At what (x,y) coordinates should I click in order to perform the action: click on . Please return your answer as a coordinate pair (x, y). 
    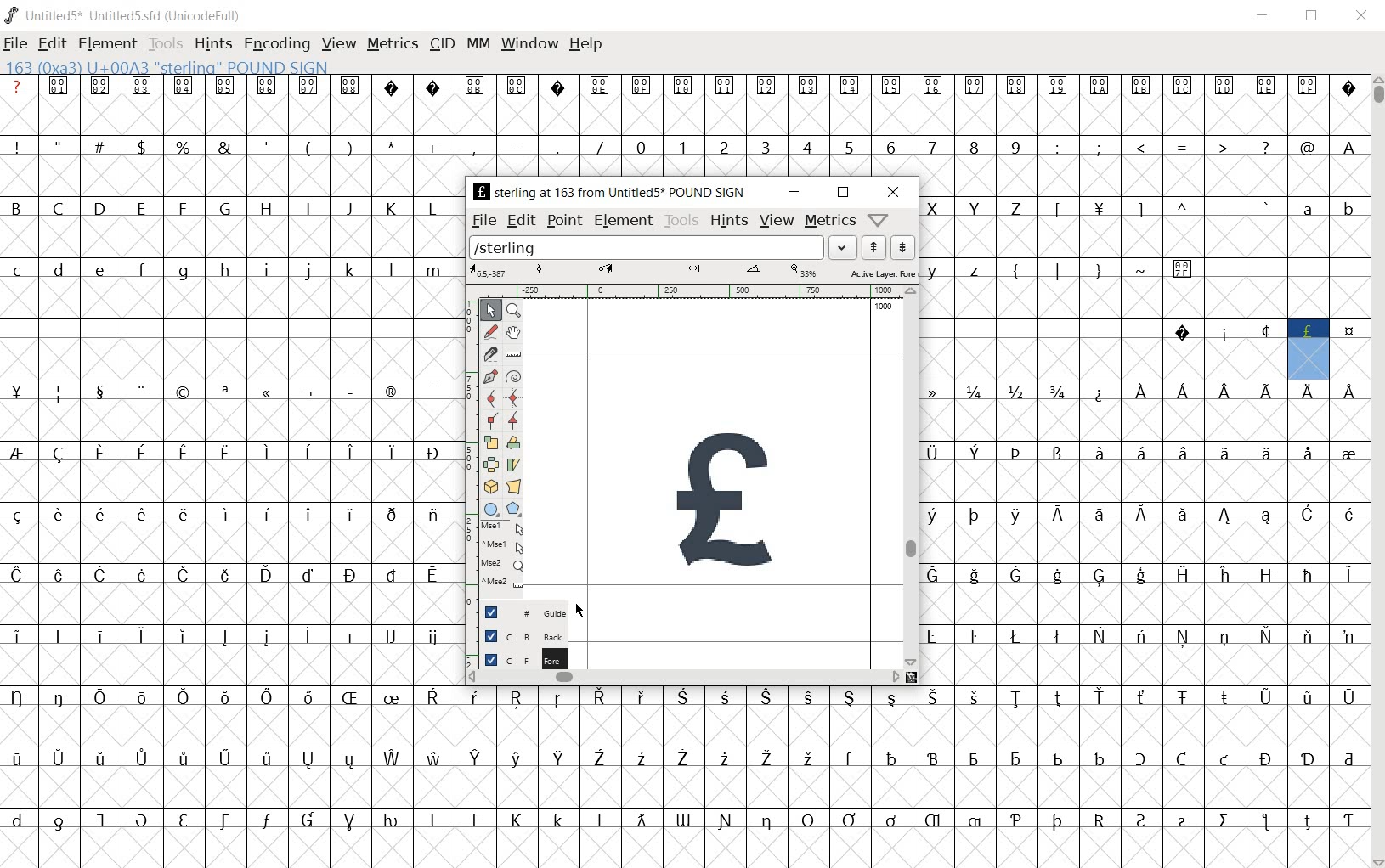
    Looking at the image, I should click on (266, 513).